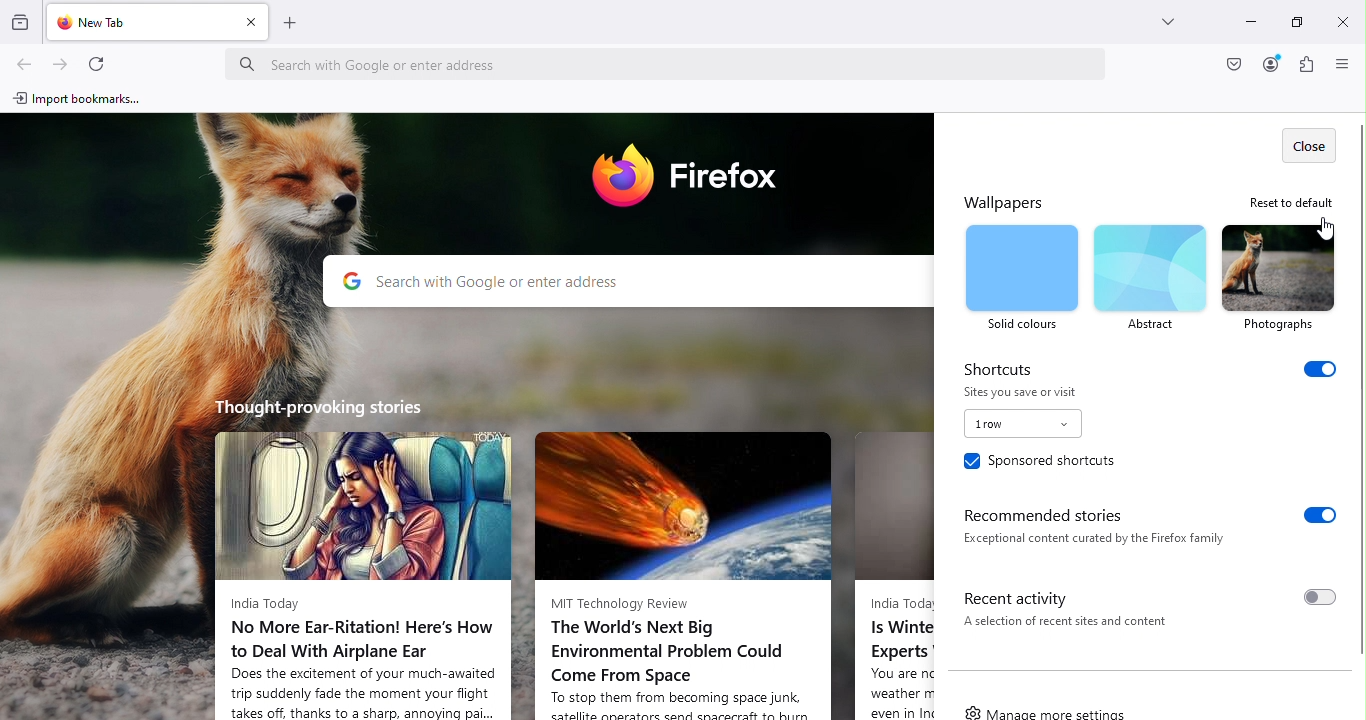 This screenshot has height=720, width=1366. What do you see at coordinates (1305, 67) in the screenshot?
I see `Extensions` at bounding box center [1305, 67].